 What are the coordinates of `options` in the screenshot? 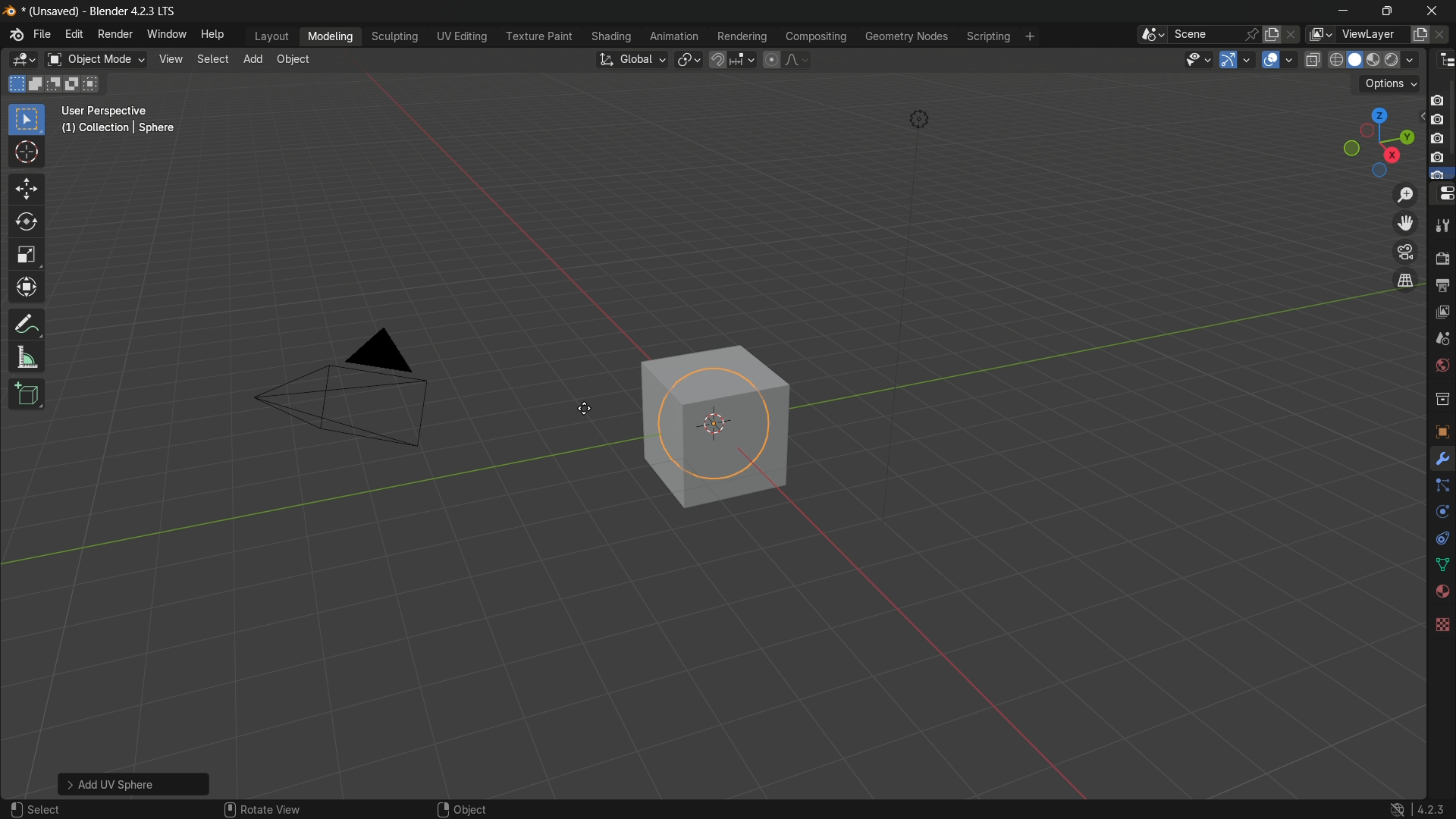 It's located at (1389, 83).